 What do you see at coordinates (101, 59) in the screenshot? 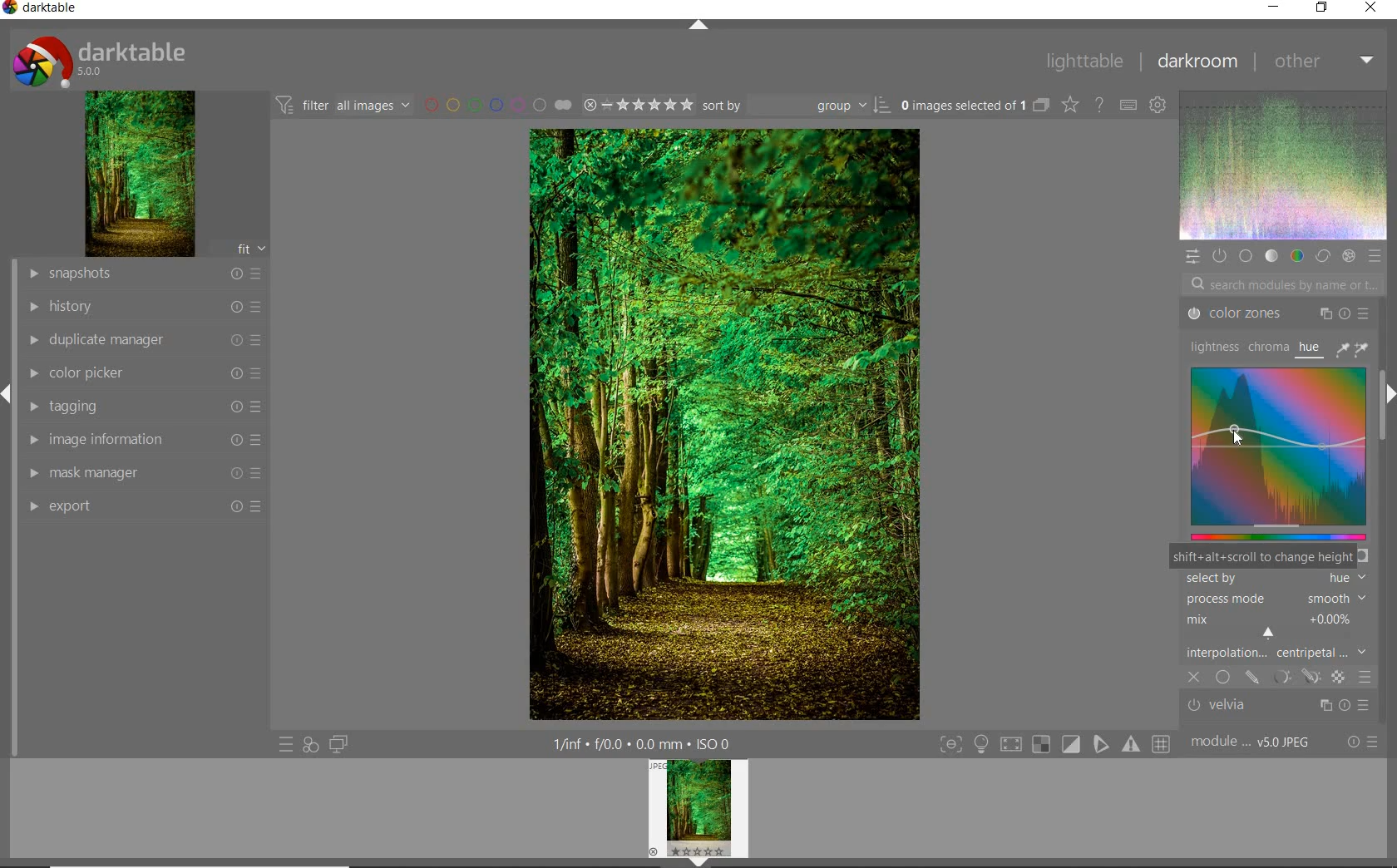
I see `SYSTEM LOGO & NAME` at bounding box center [101, 59].